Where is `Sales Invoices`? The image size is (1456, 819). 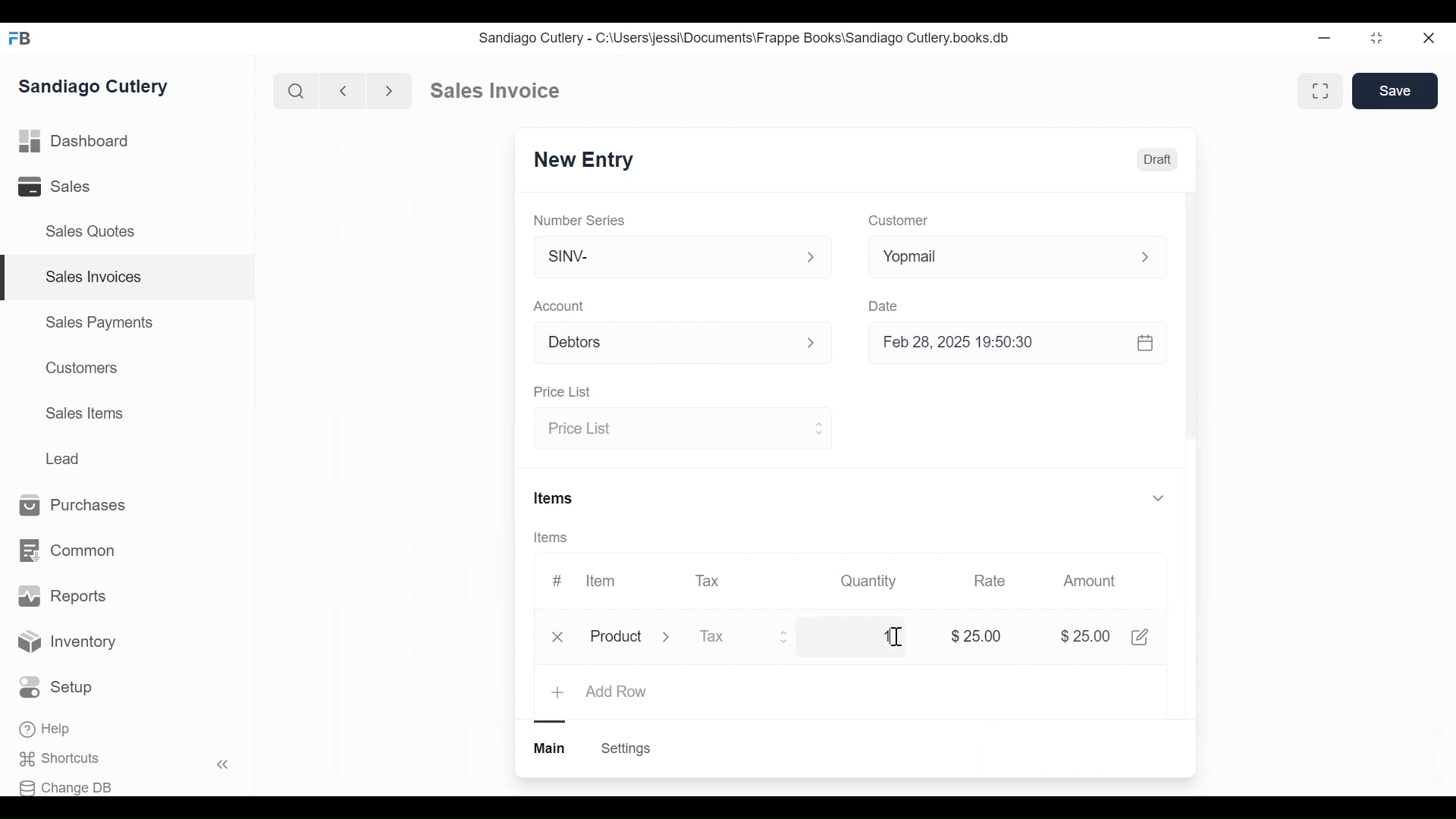
Sales Invoices is located at coordinates (94, 278).